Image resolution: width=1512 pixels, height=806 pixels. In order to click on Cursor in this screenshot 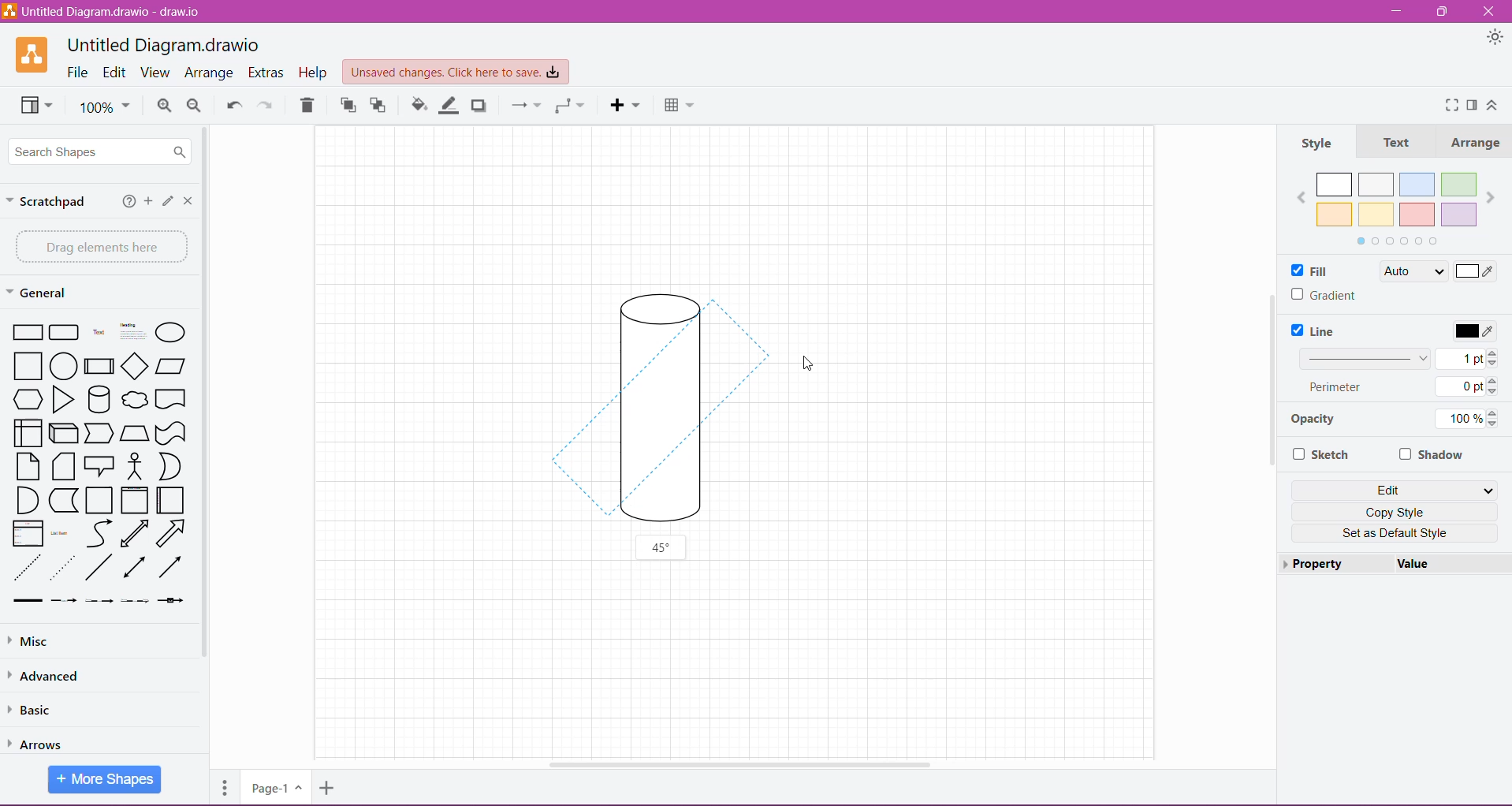, I will do `click(809, 375)`.